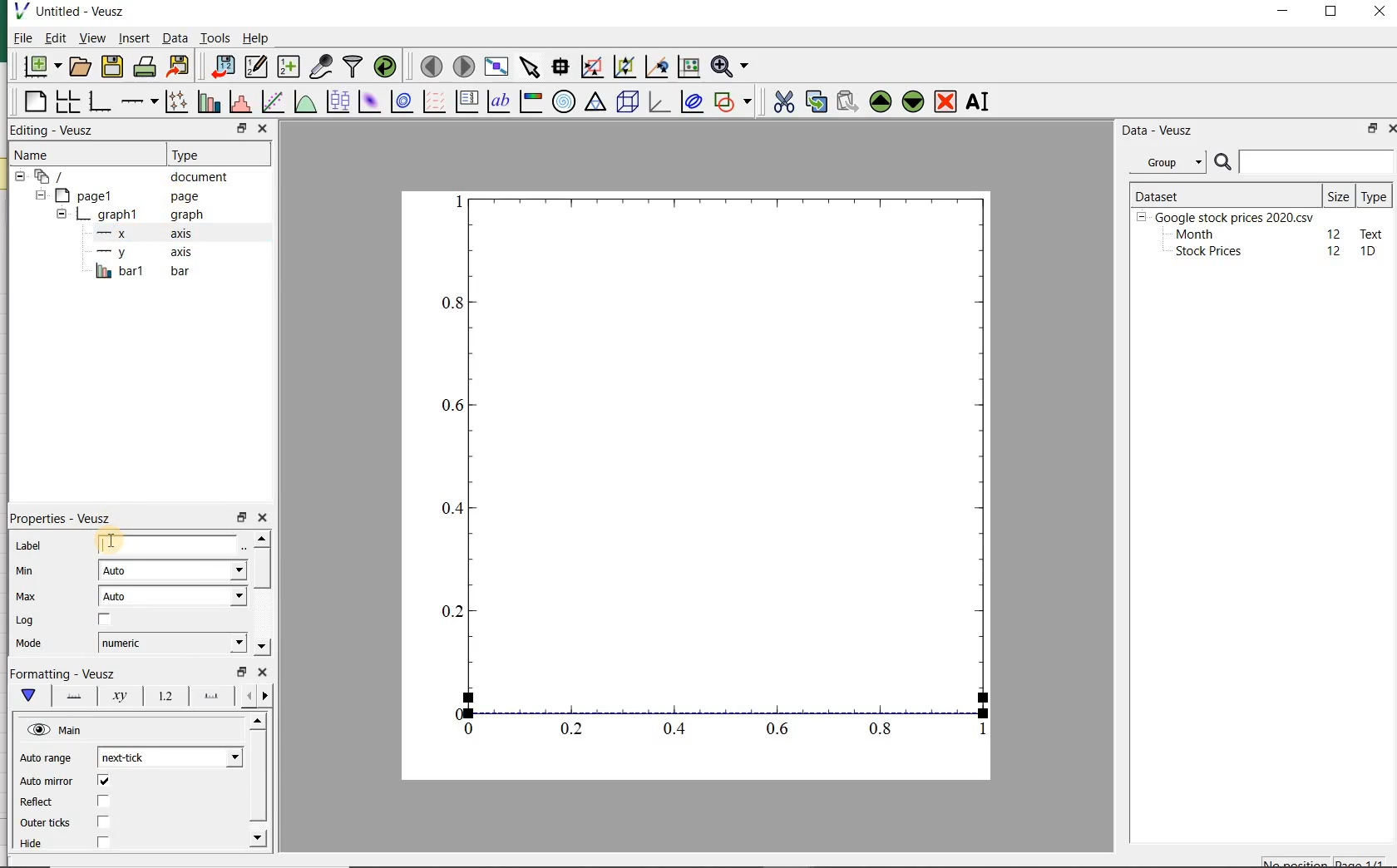 The image size is (1397, 868). I want to click on renames the selected widget, so click(975, 104).